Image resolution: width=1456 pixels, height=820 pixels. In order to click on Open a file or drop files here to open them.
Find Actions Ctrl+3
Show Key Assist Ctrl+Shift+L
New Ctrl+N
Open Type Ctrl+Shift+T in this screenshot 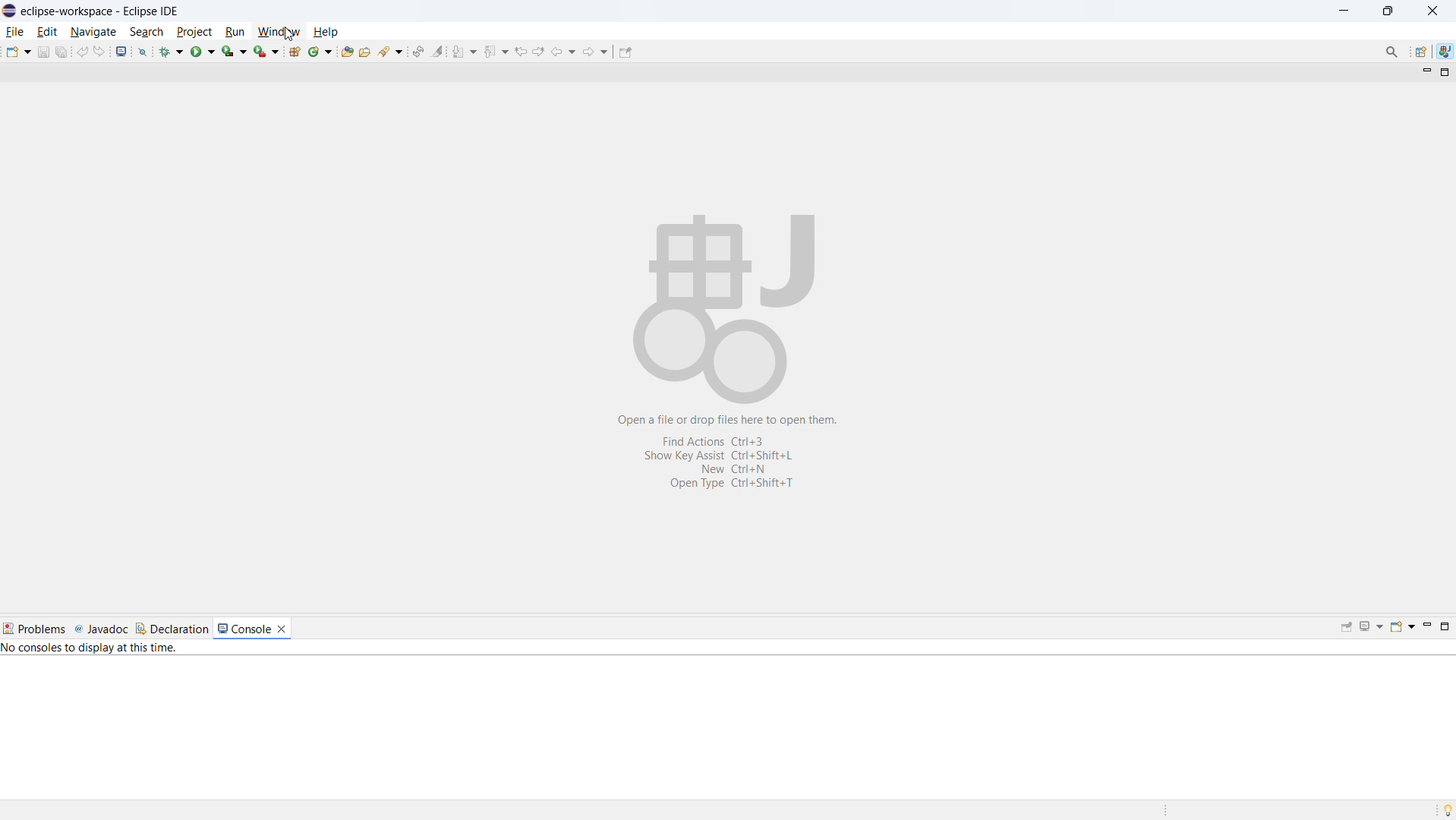, I will do `click(731, 453)`.